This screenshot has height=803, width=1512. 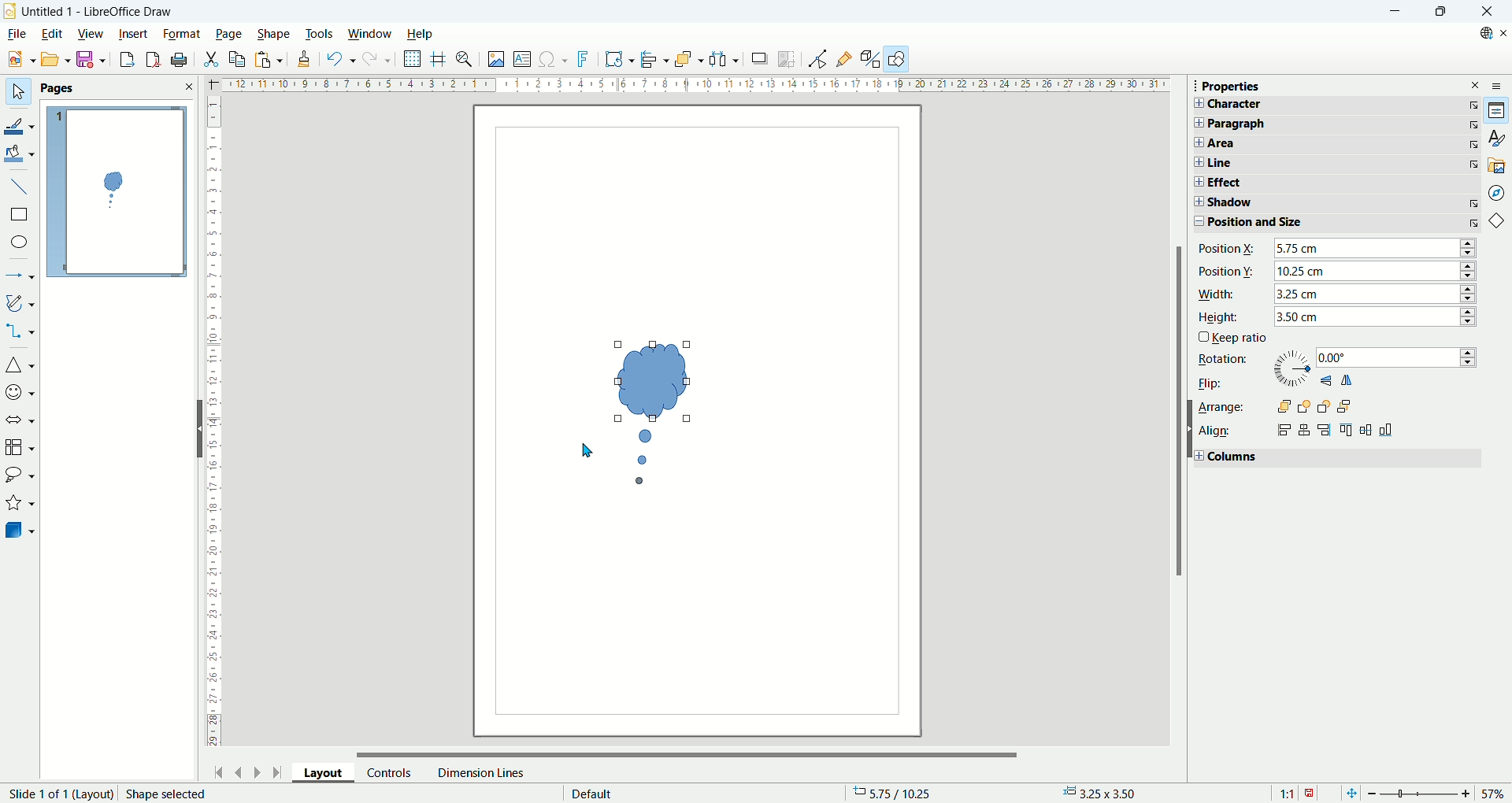 What do you see at coordinates (585, 60) in the screenshot?
I see `fontwork text` at bounding box center [585, 60].